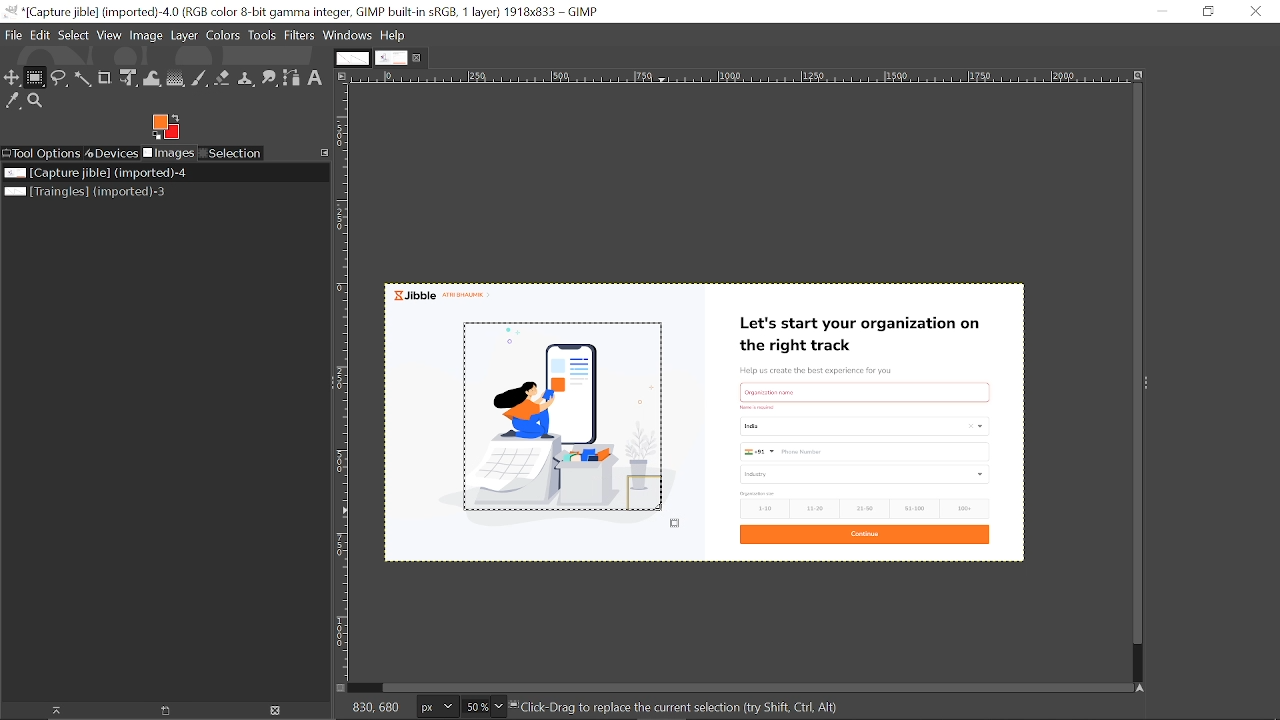  What do you see at coordinates (104, 77) in the screenshot?
I see `Crop tool` at bounding box center [104, 77].